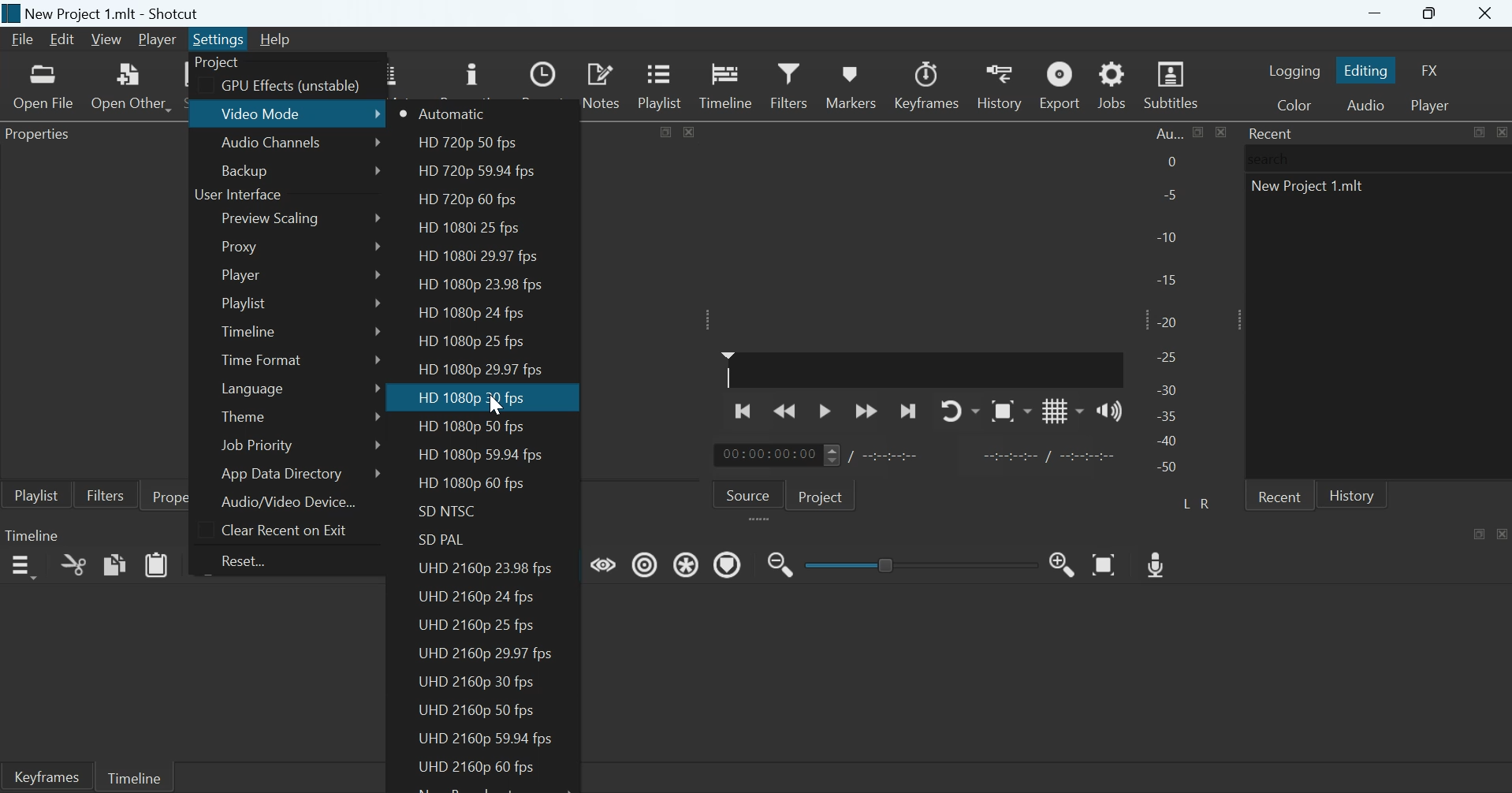 The width and height of the screenshot is (1512, 793). Describe the element at coordinates (709, 319) in the screenshot. I see `Expand` at that location.